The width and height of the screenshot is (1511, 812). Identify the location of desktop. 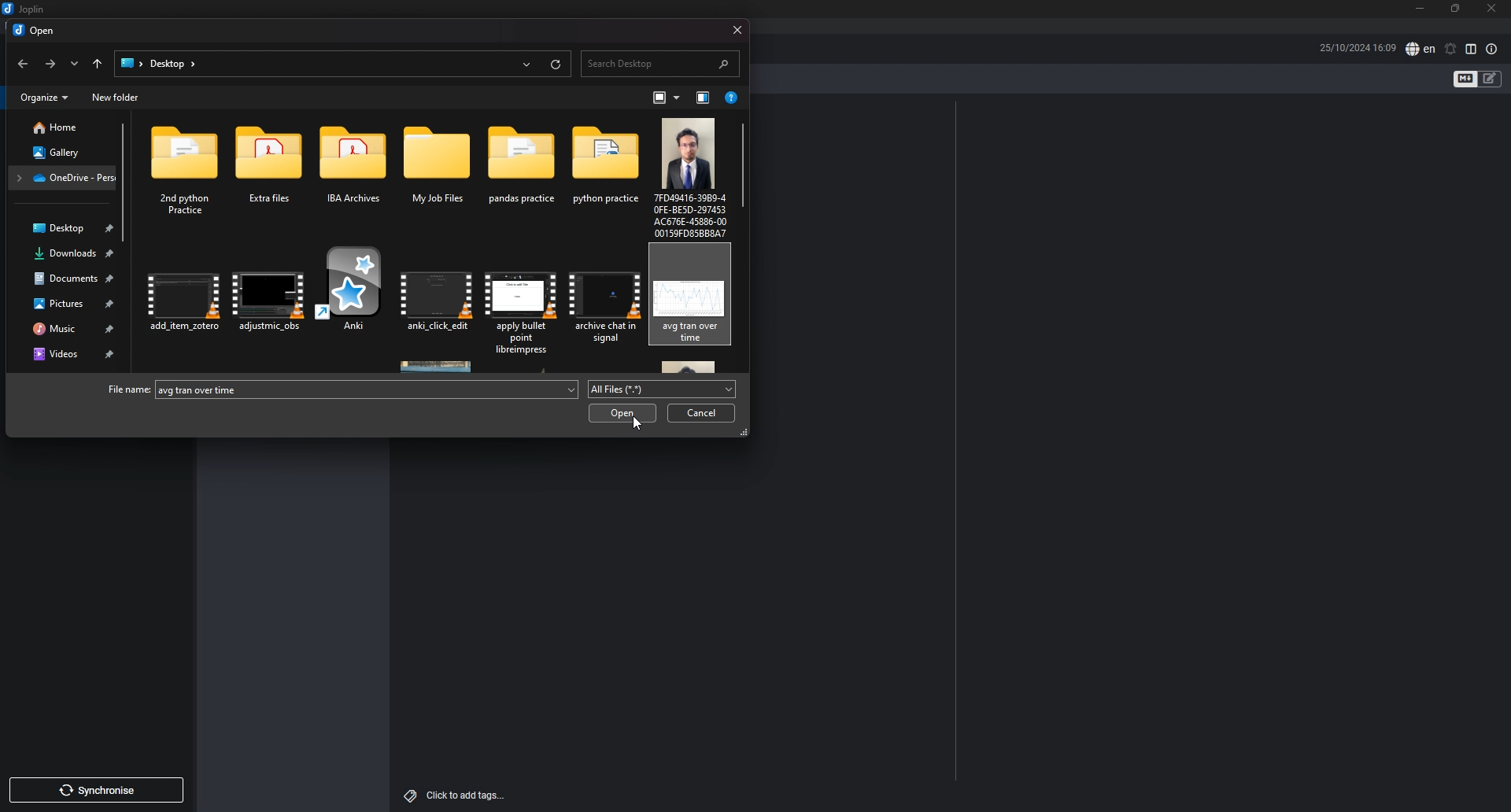
(173, 63).